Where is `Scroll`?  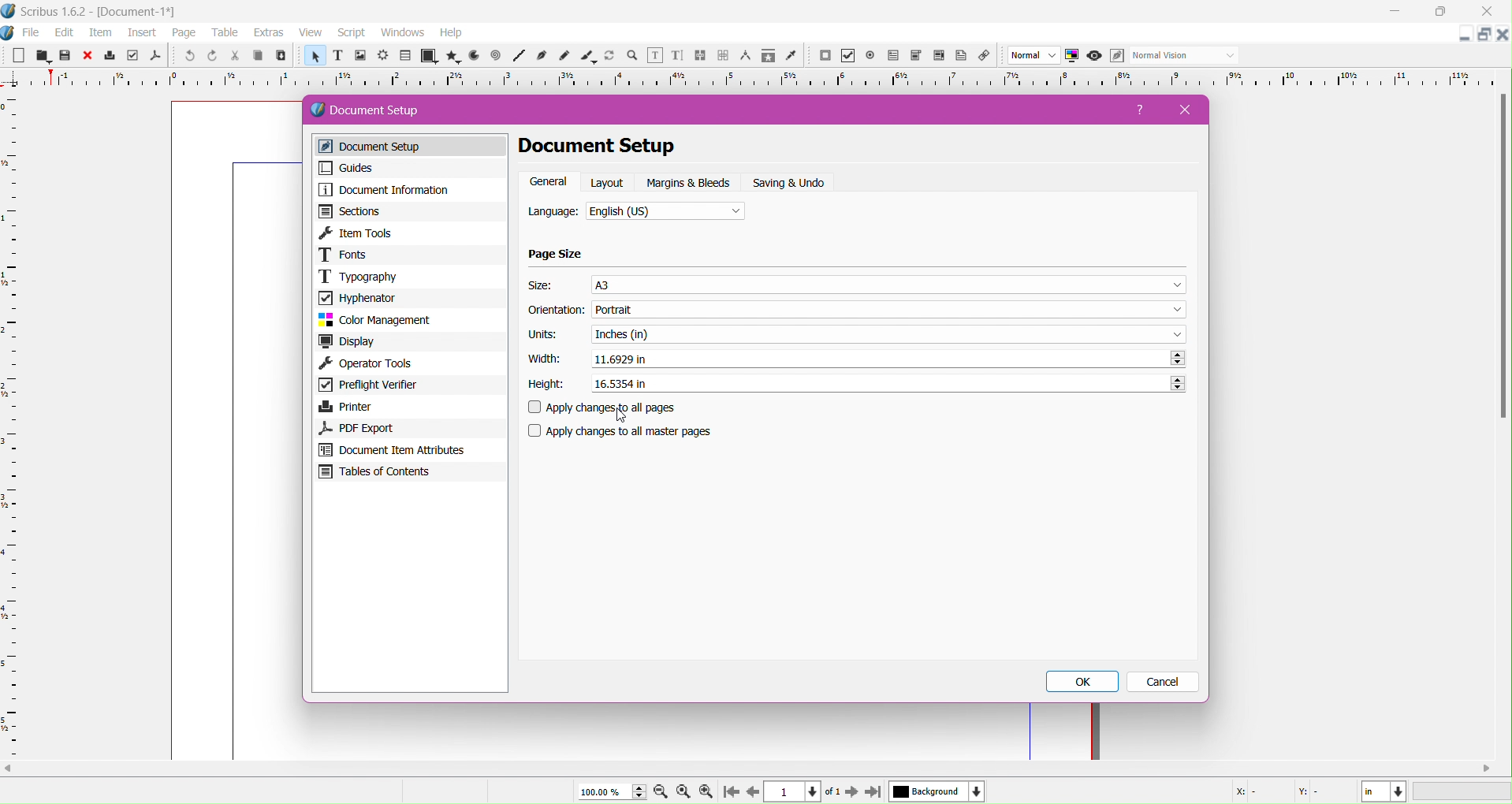
Scroll is located at coordinates (1500, 260).